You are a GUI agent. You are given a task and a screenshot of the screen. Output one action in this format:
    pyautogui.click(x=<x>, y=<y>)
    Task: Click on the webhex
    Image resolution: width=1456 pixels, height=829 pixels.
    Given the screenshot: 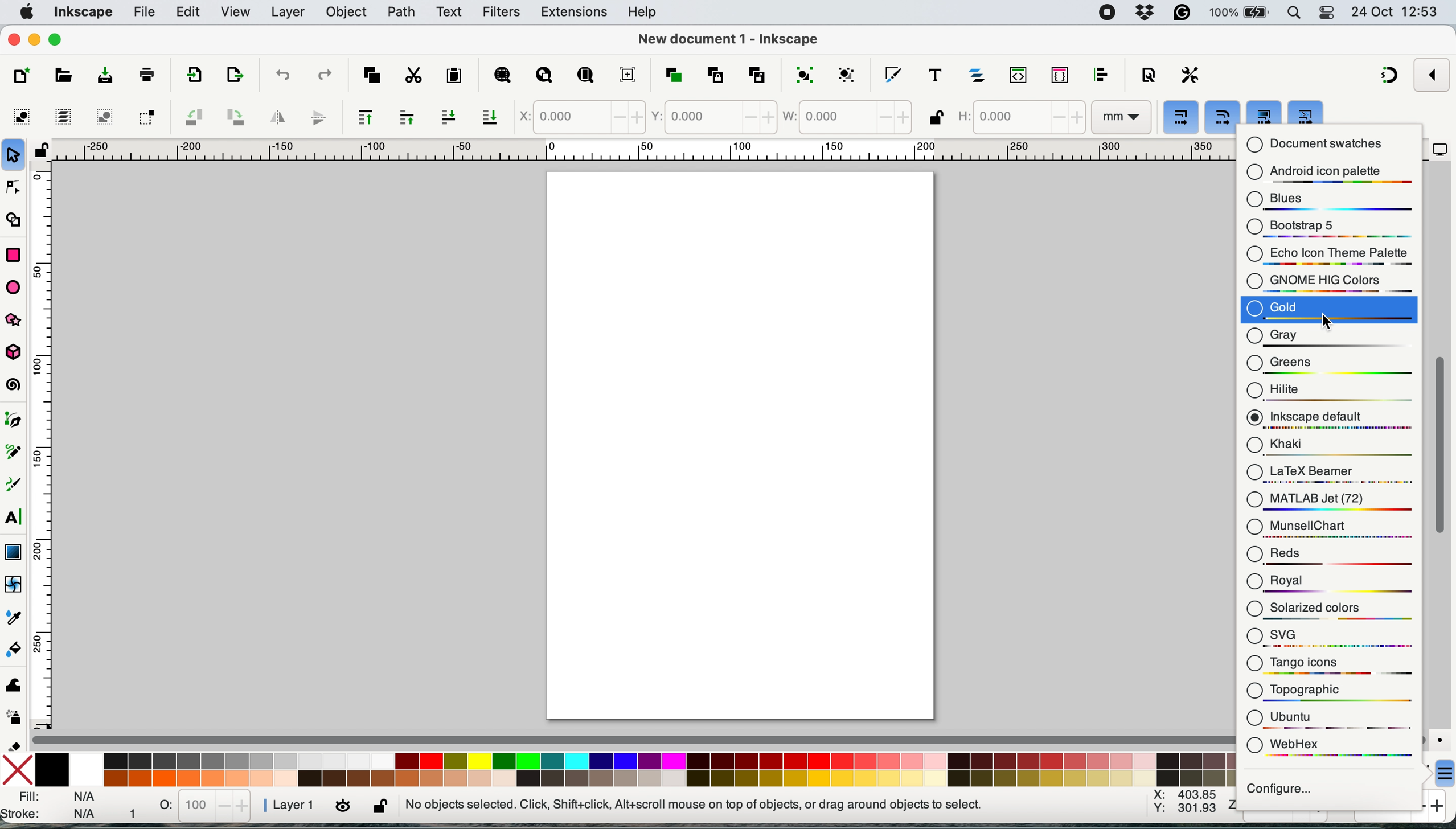 What is the action you would take?
    pyautogui.click(x=1332, y=747)
    